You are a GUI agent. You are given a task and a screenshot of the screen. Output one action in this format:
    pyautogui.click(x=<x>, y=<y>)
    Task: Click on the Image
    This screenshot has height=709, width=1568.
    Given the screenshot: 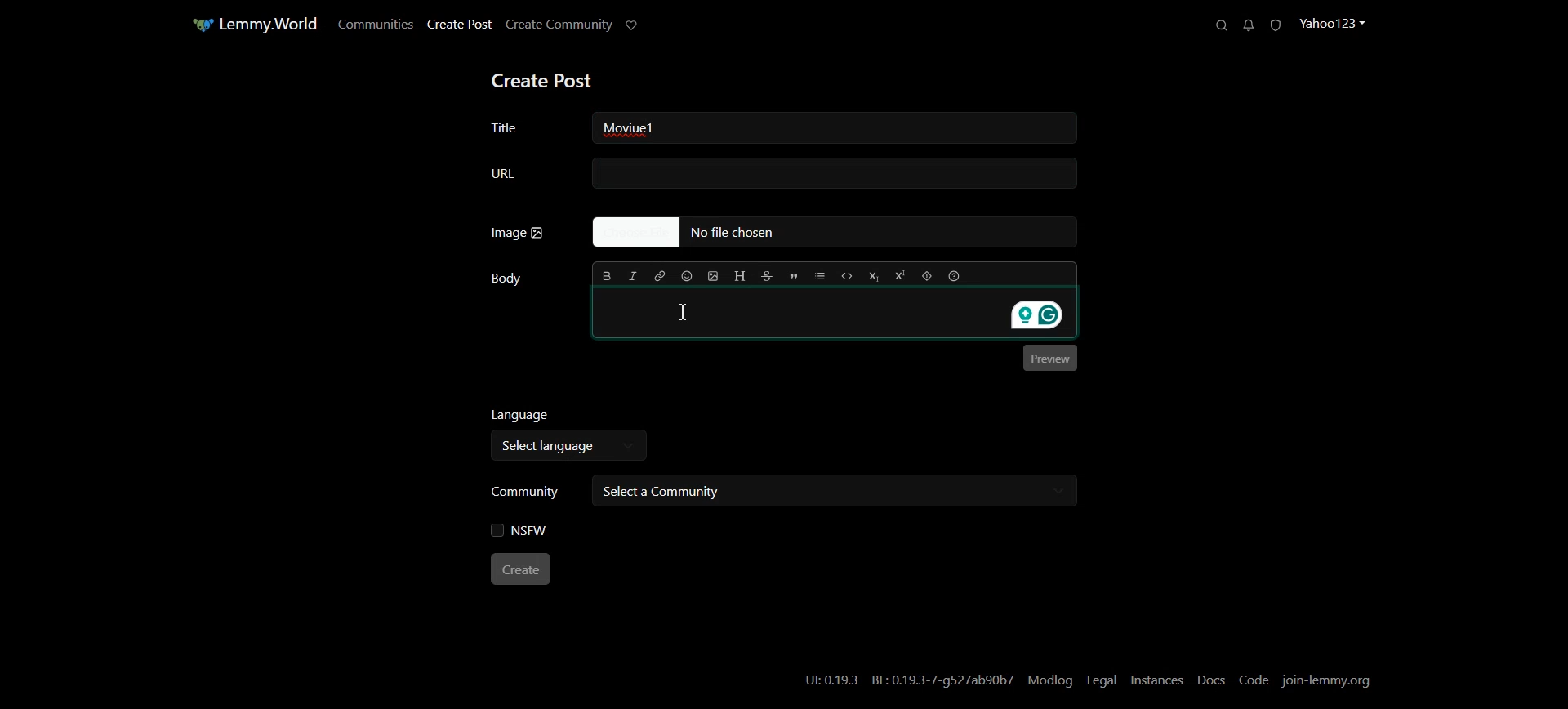 What is the action you would take?
    pyautogui.click(x=518, y=233)
    